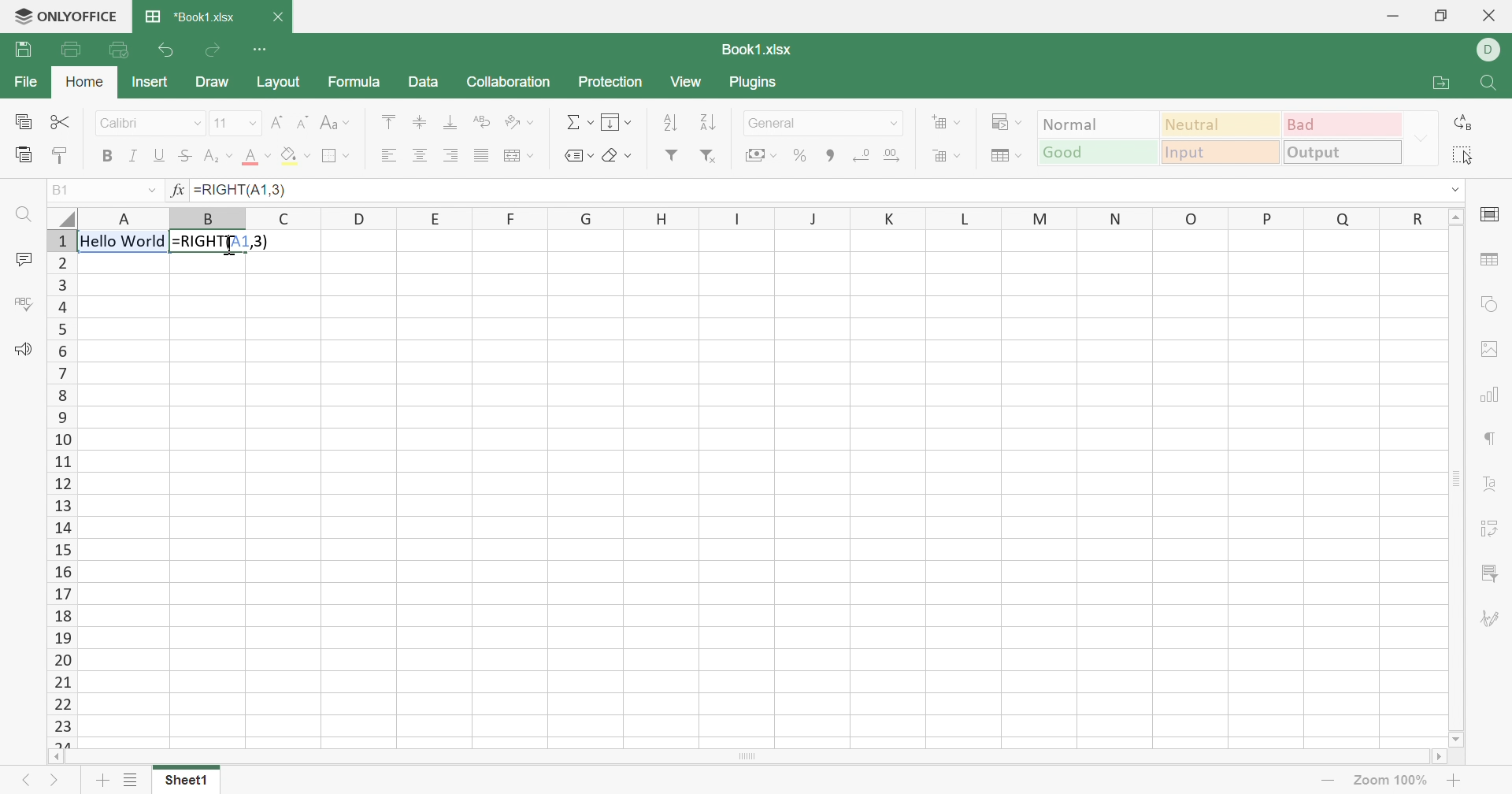 This screenshot has height=794, width=1512. I want to click on Fill, so click(613, 123).